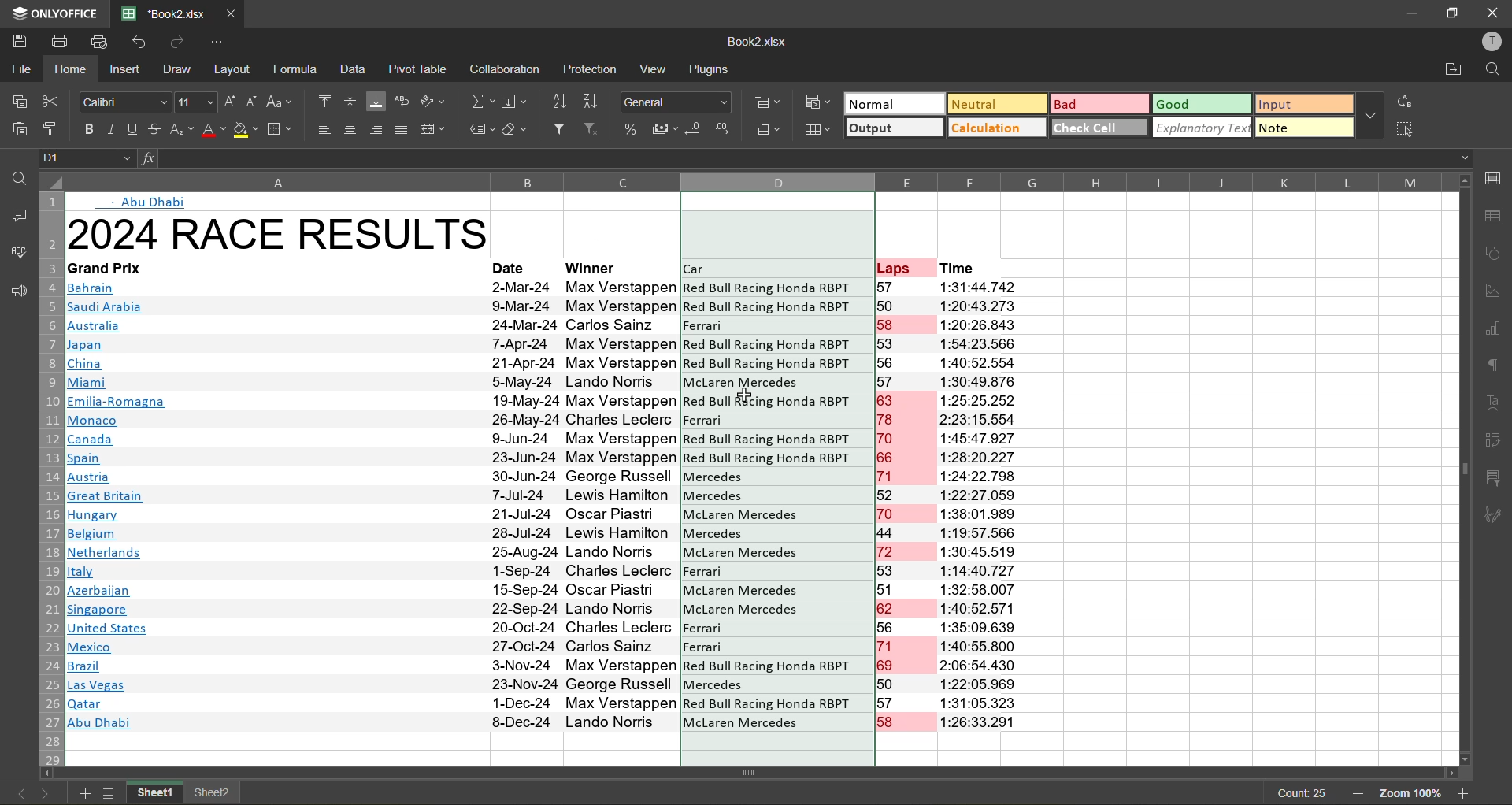 This screenshot has width=1512, height=805. What do you see at coordinates (61, 39) in the screenshot?
I see `print` at bounding box center [61, 39].